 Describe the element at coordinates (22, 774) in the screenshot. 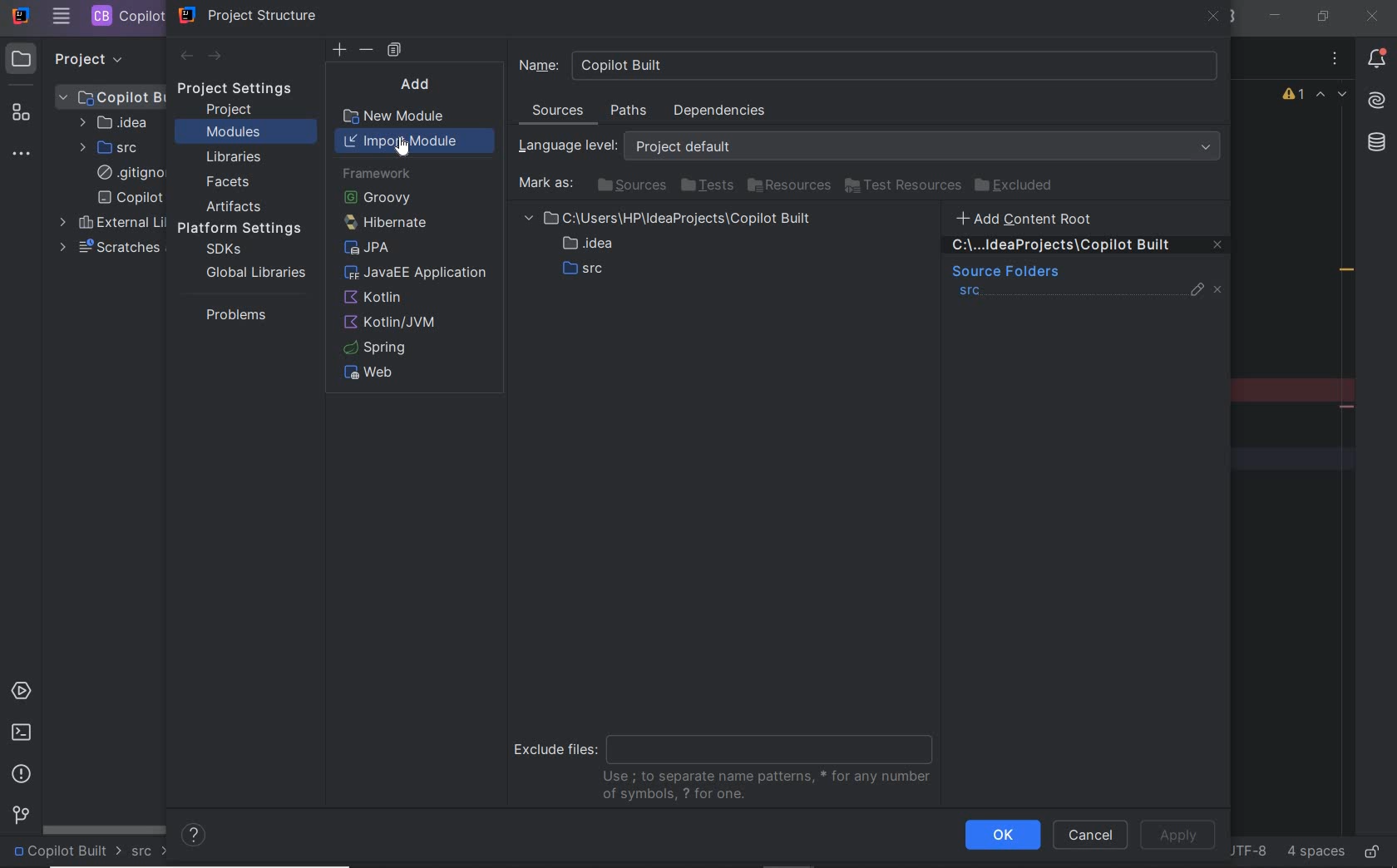

I see `problems` at that location.